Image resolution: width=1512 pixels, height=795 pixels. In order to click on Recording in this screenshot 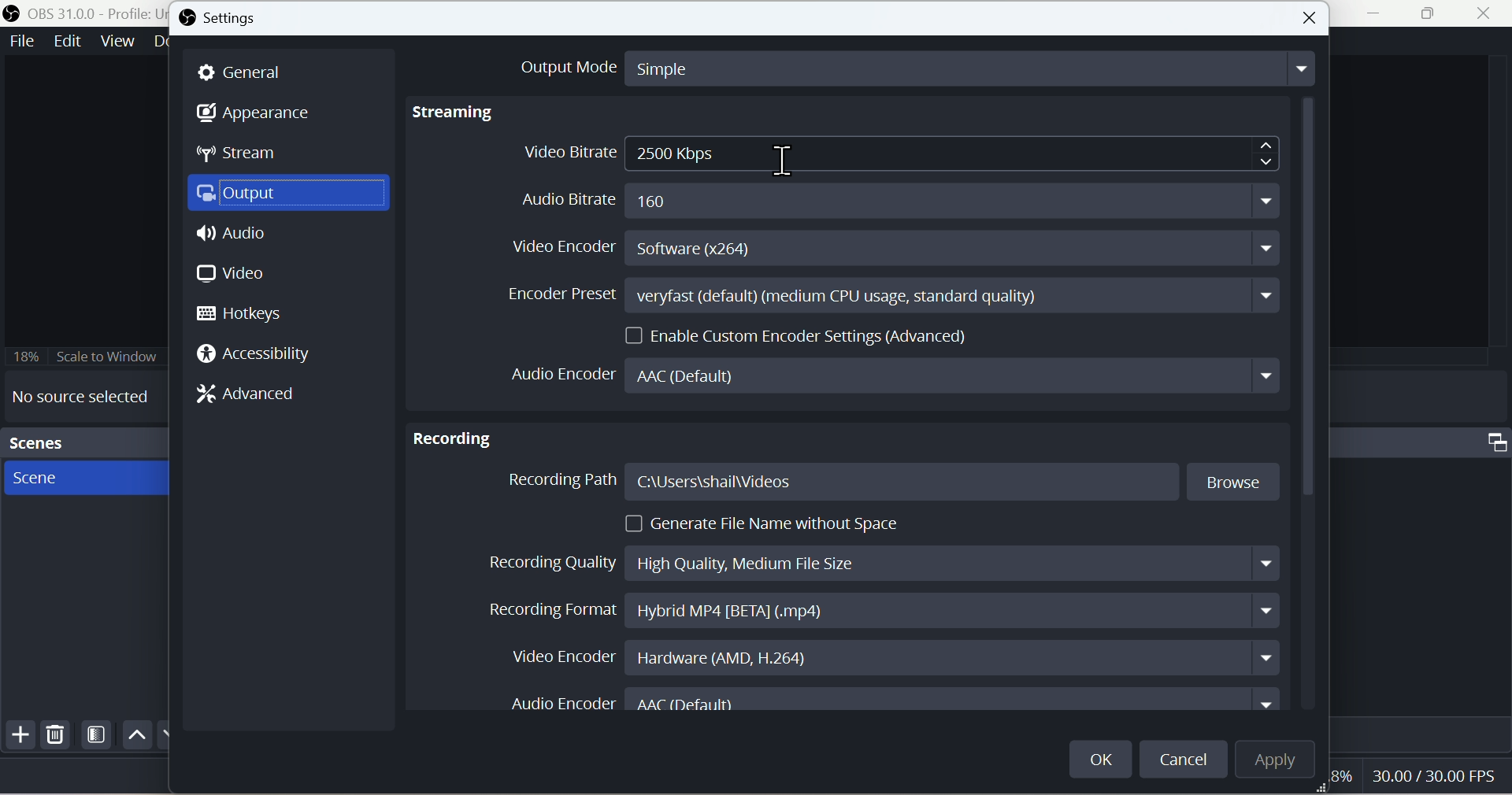, I will do `click(453, 434)`.